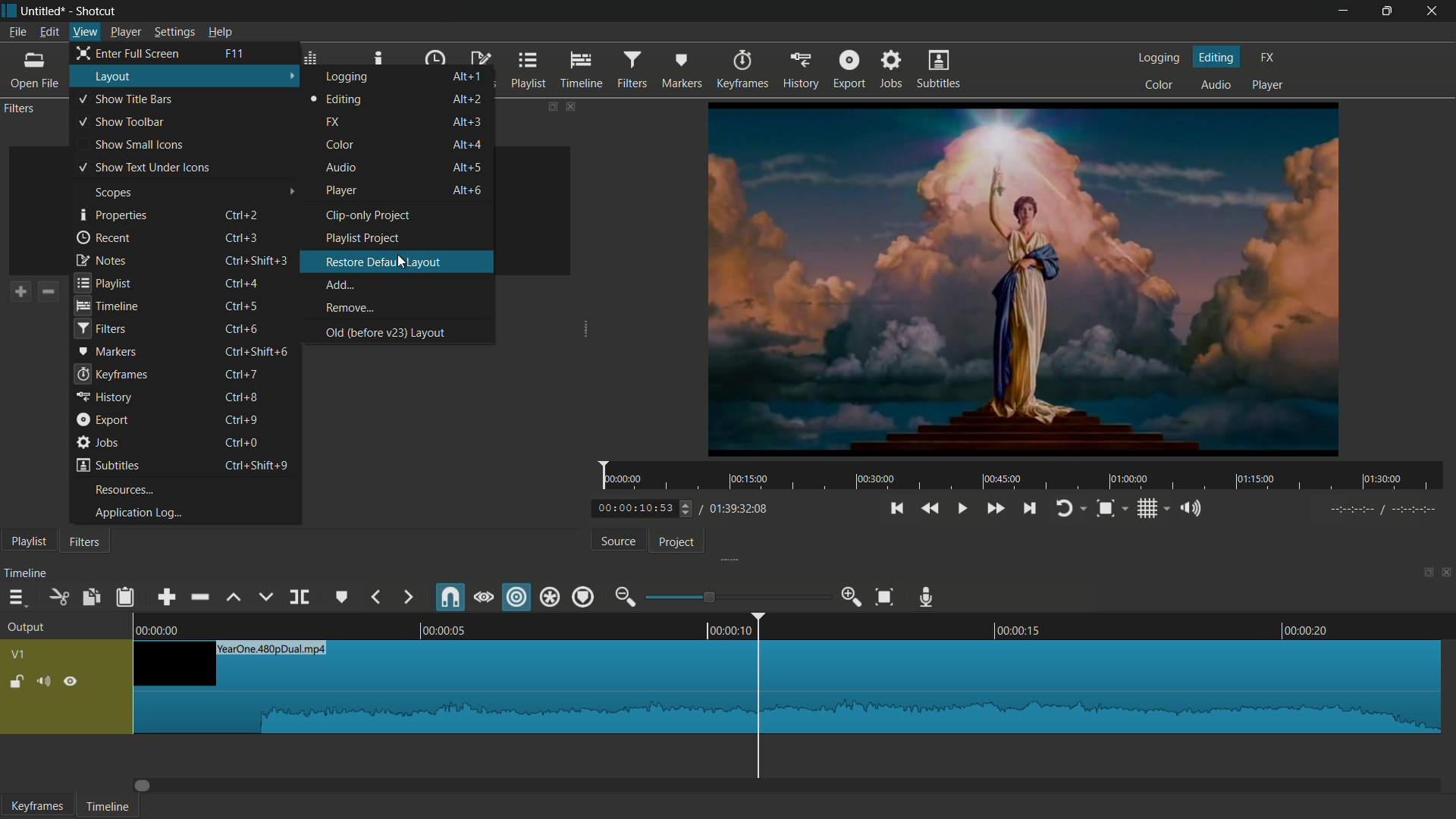 This screenshot has height=819, width=1456. Describe the element at coordinates (362, 238) in the screenshot. I see `playlist project` at that location.